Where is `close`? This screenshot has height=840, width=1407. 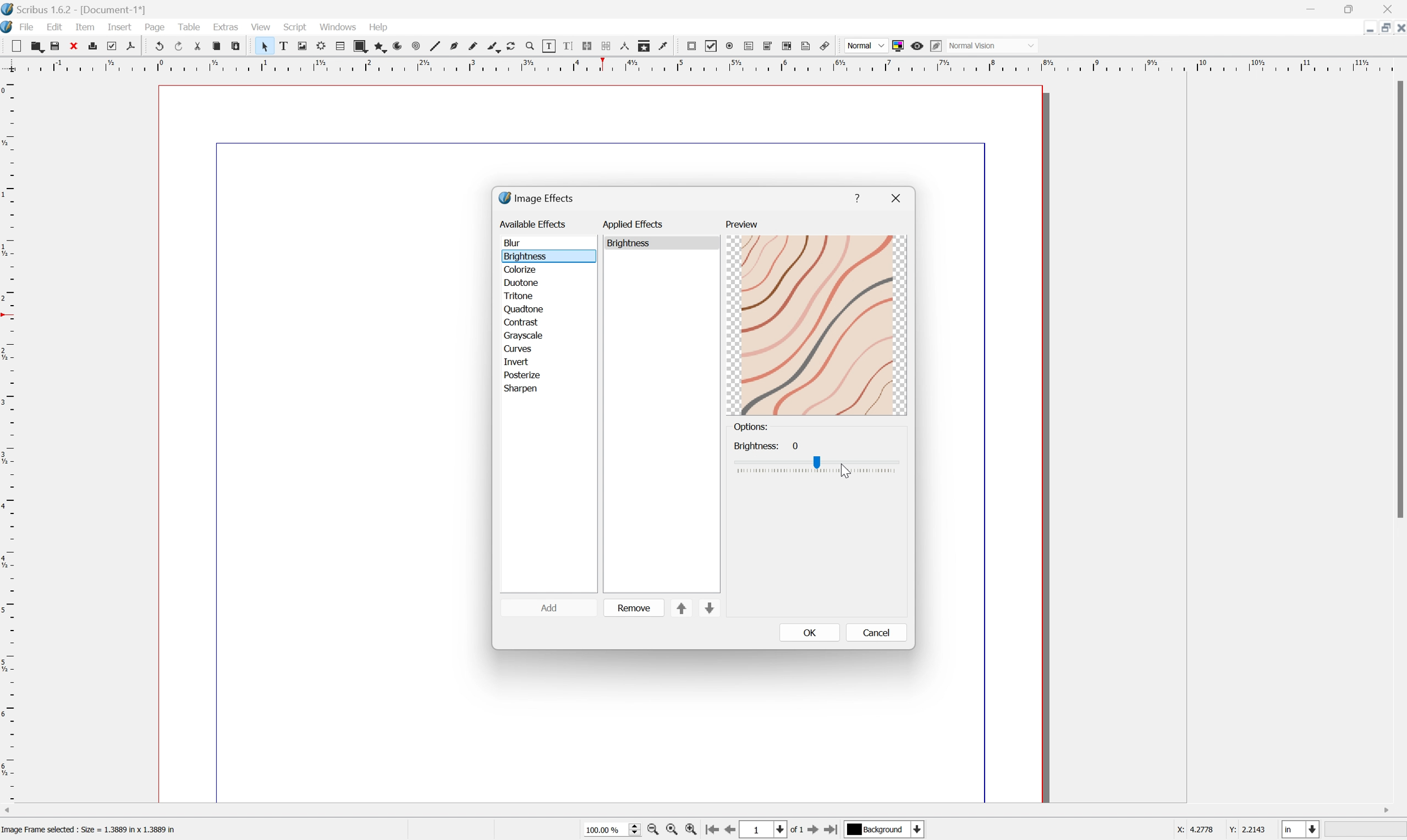
close is located at coordinates (898, 196).